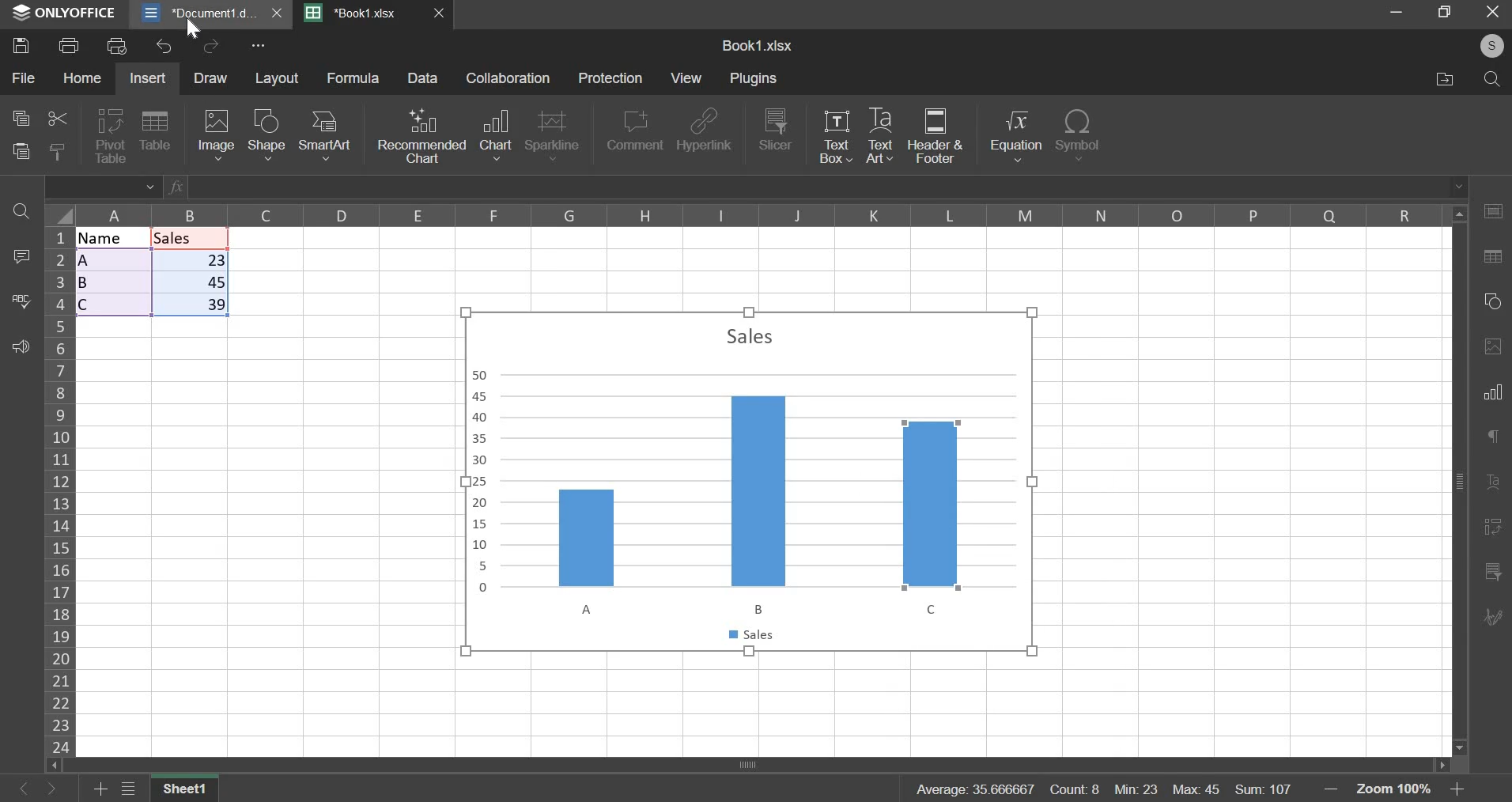 This screenshot has width=1512, height=802. Describe the element at coordinates (154, 272) in the screenshot. I see `data` at that location.